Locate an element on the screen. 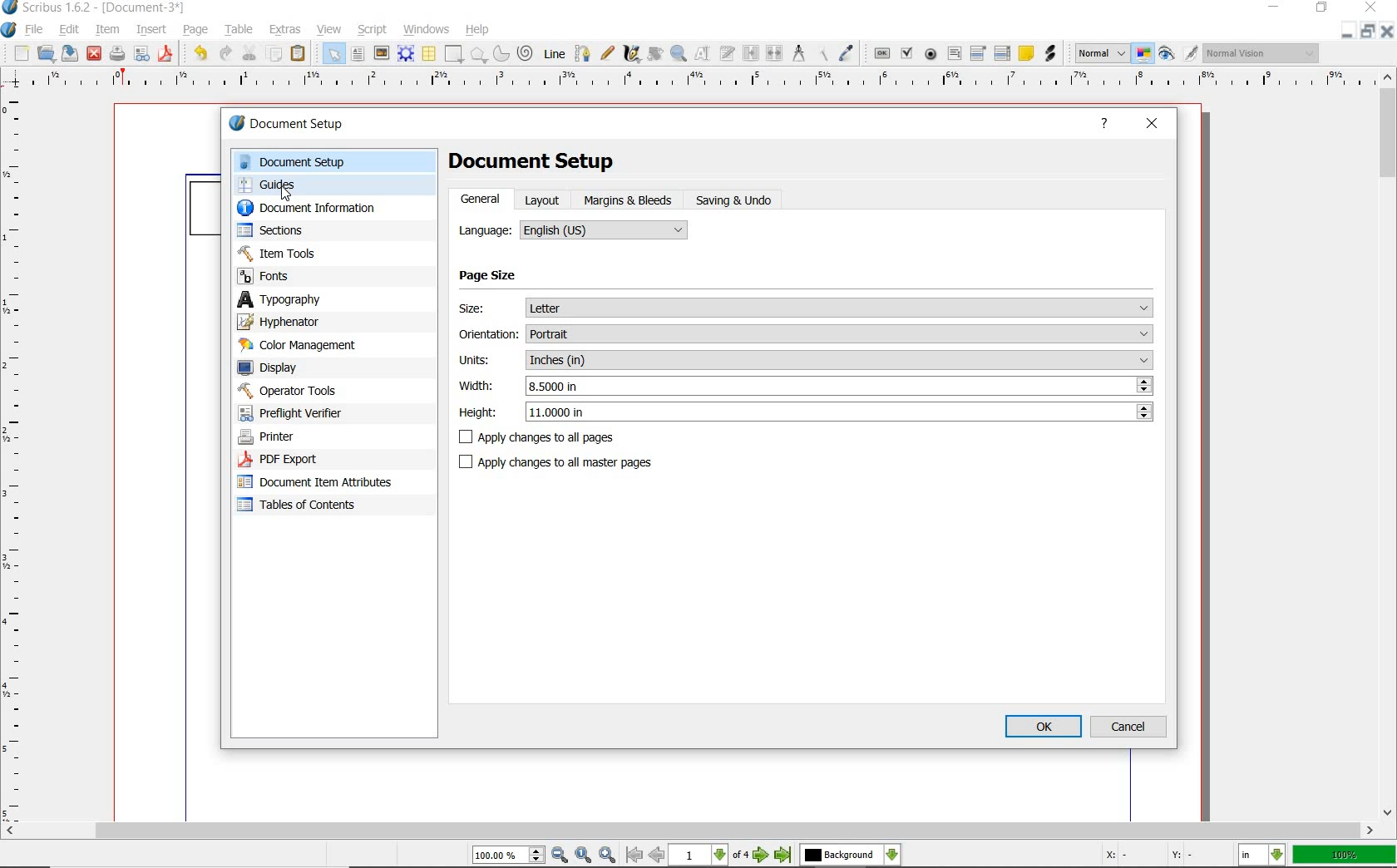  zoom in or zoom out is located at coordinates (679, 55).